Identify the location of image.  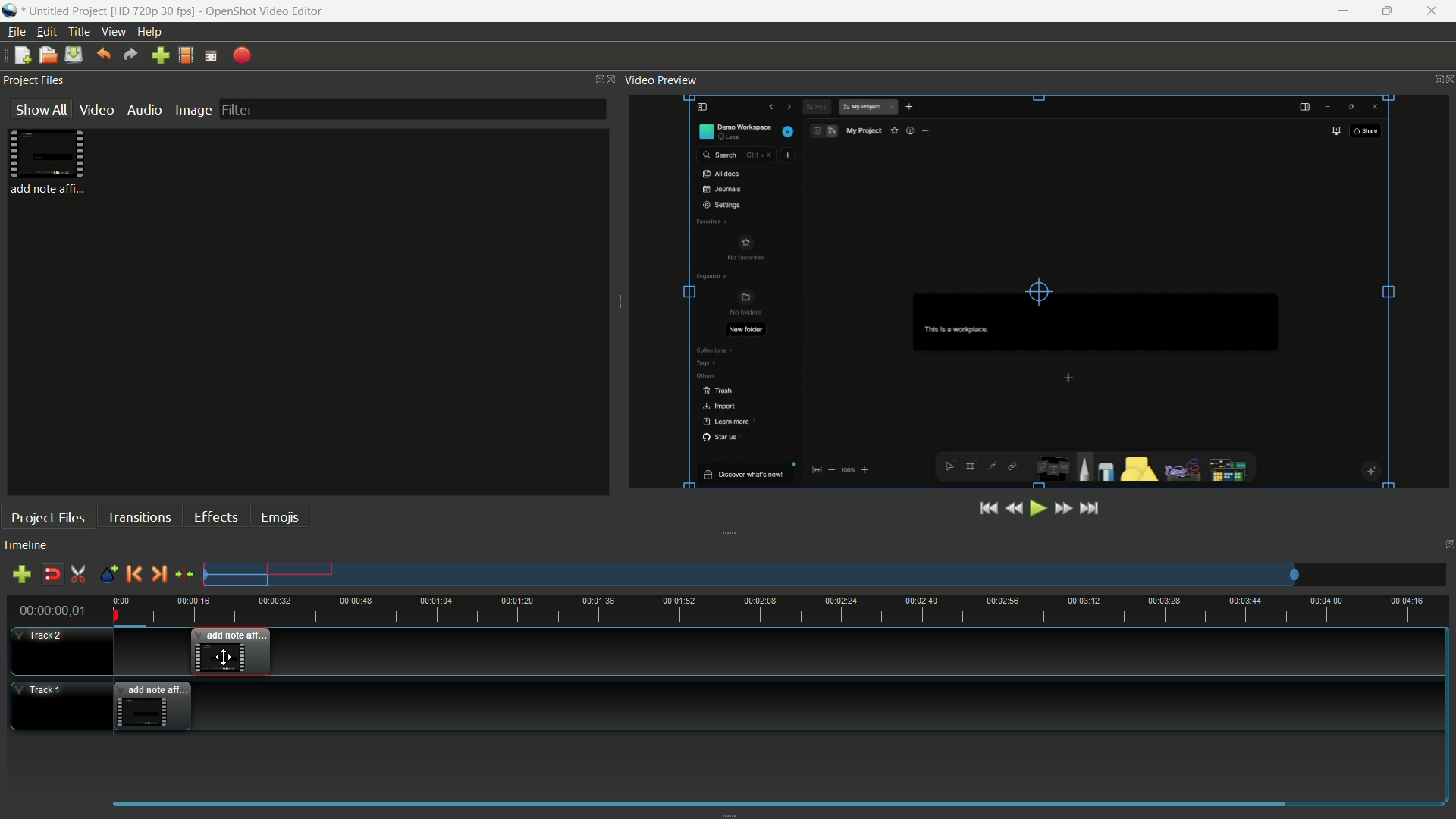
(193, 109).